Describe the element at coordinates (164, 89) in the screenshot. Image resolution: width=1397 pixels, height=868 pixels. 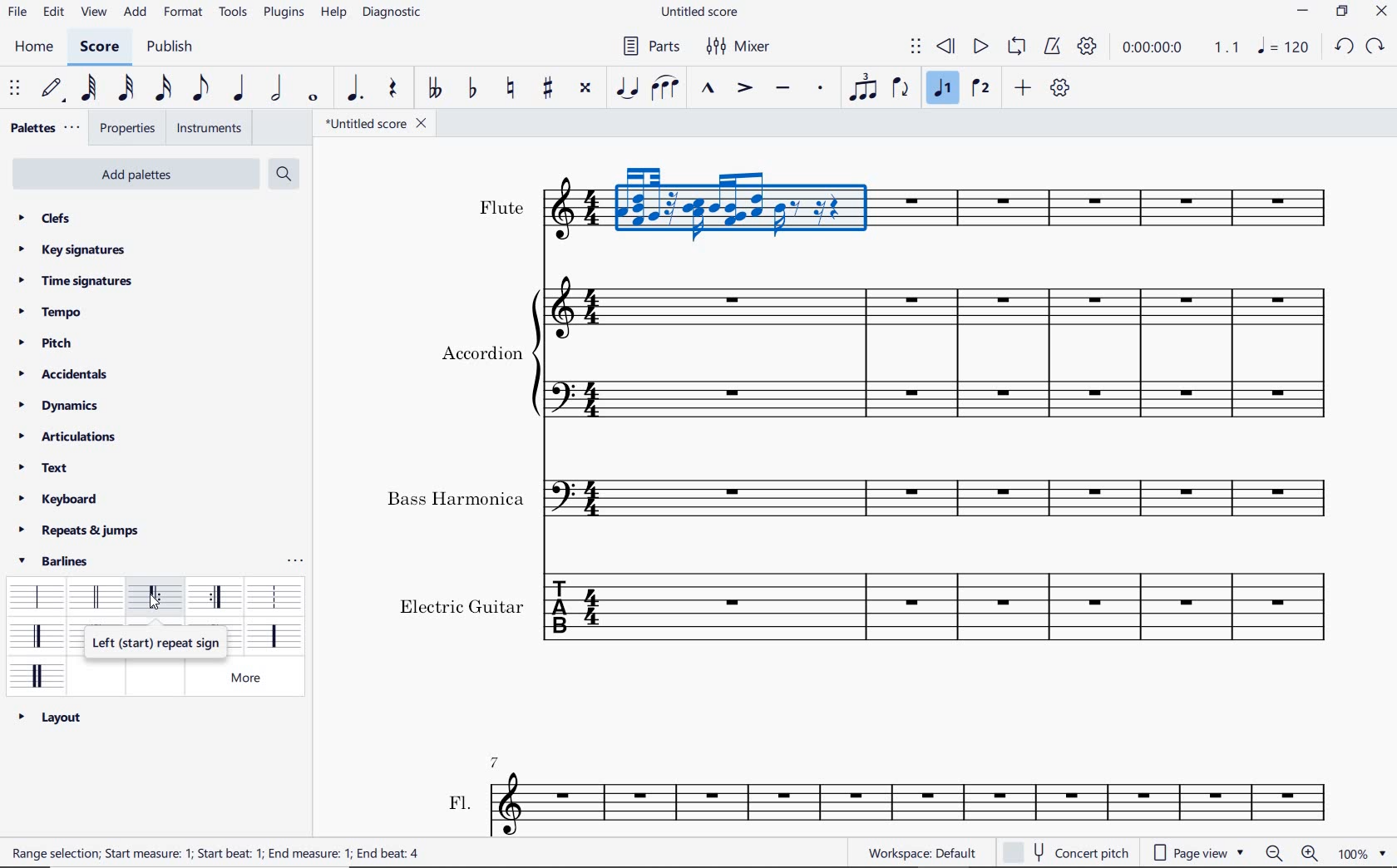
I see `16th note` at that location.